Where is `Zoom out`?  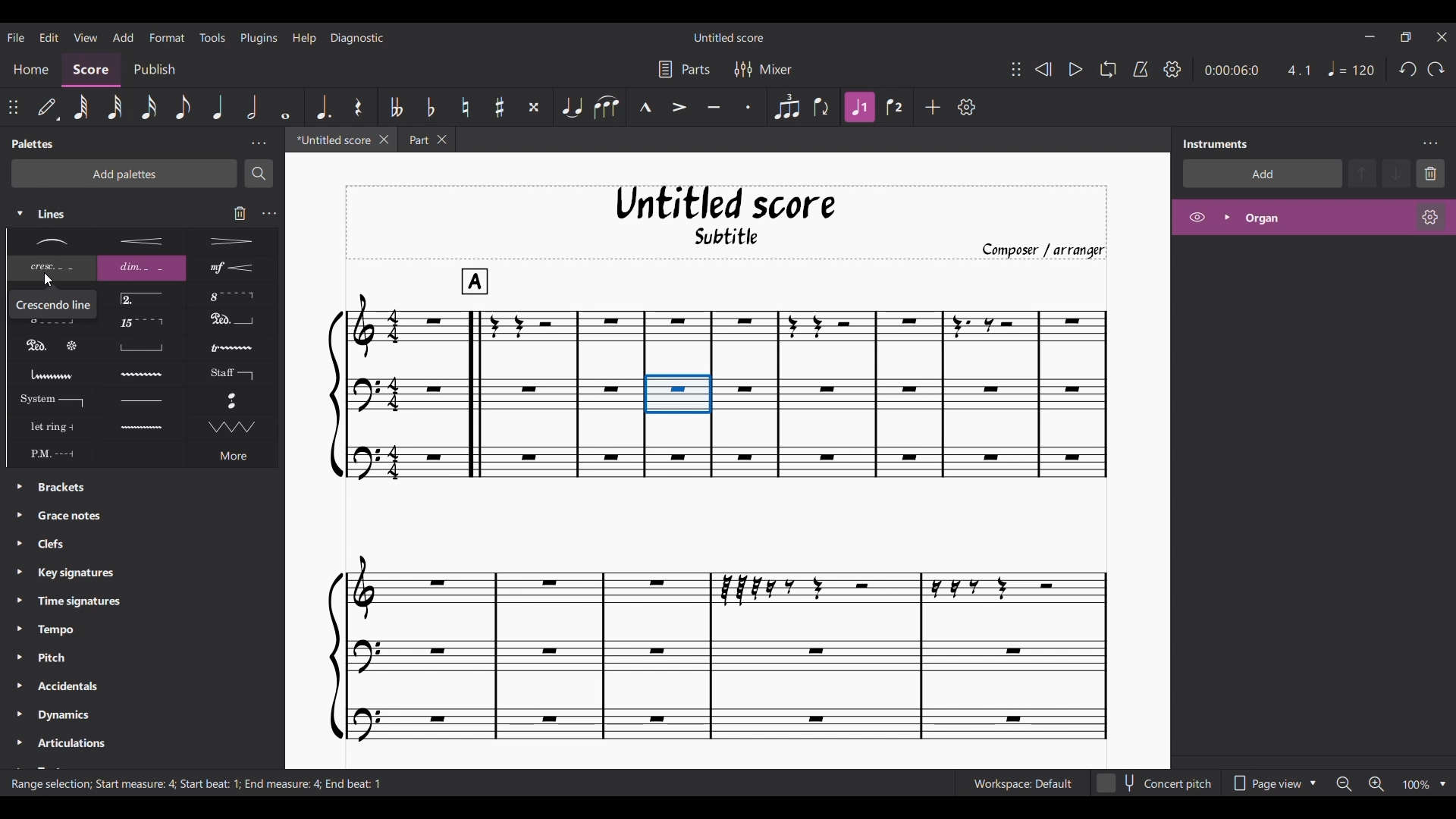 Zoom out is located at coordinates (1344, 784).